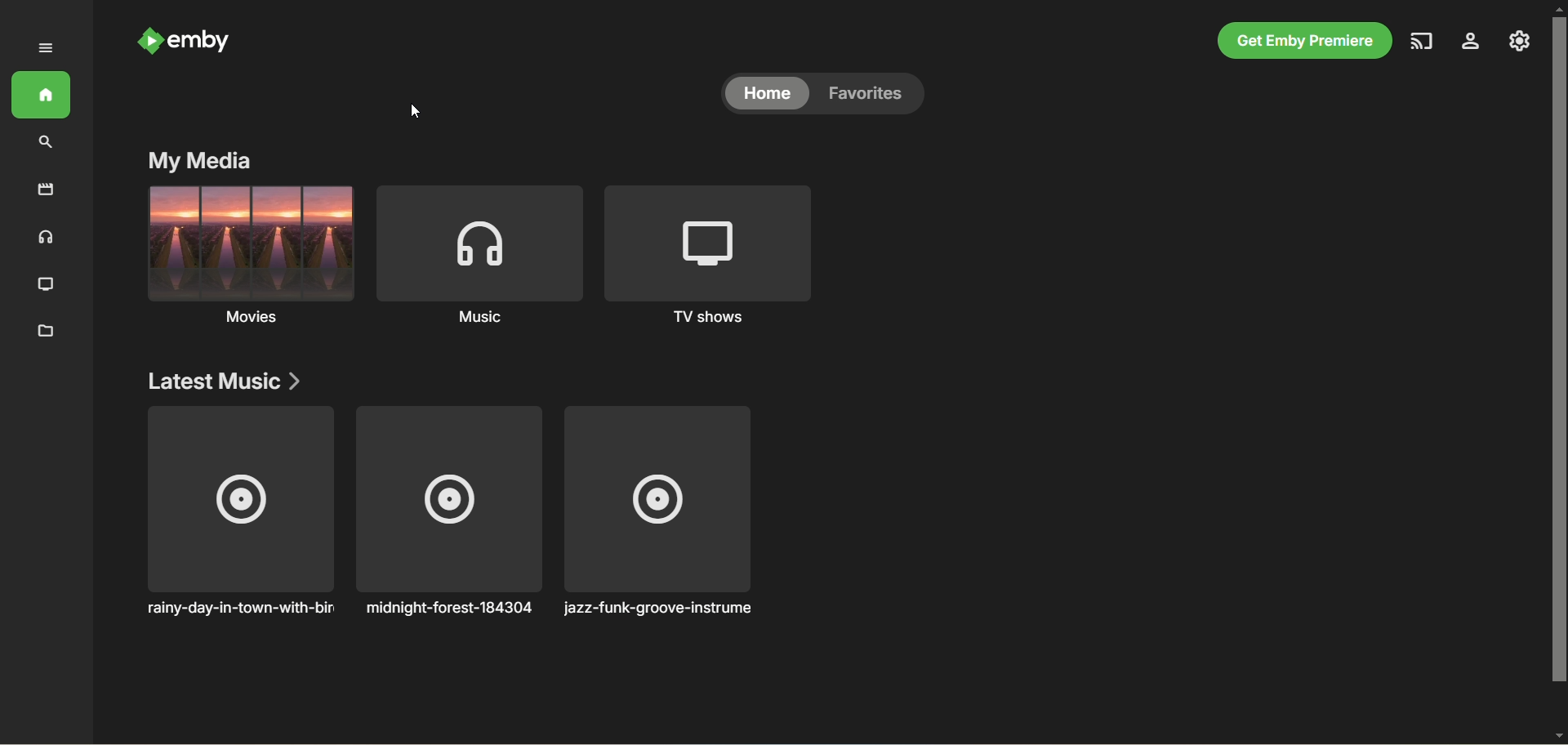 This screenshot has height=745, width=1568. What do you see at coordinates (1472, 44) in the screenshot?
I see `settings` at bounding box center [1472, 44].